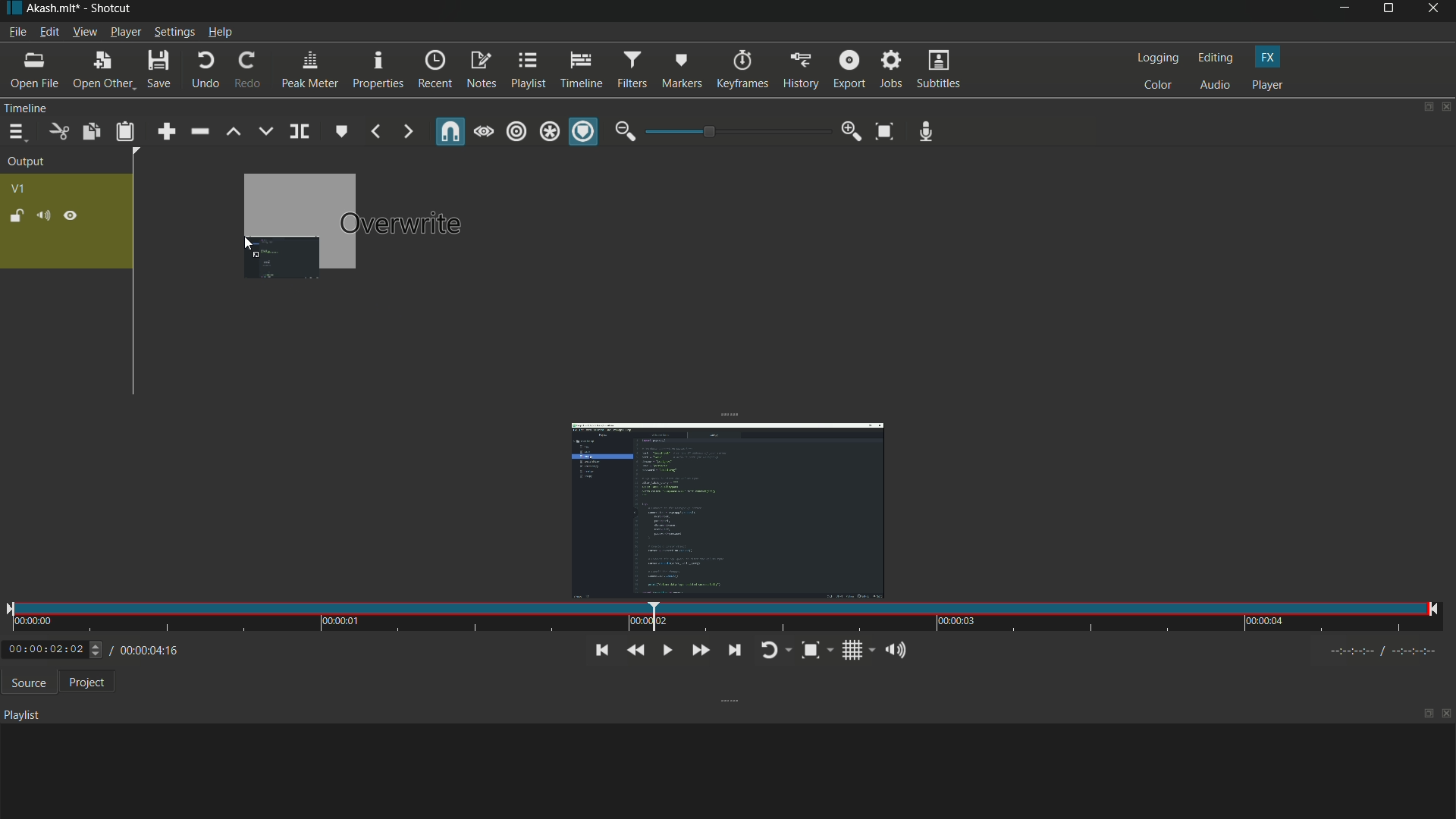  I want to click on v1, so click(17, 190).